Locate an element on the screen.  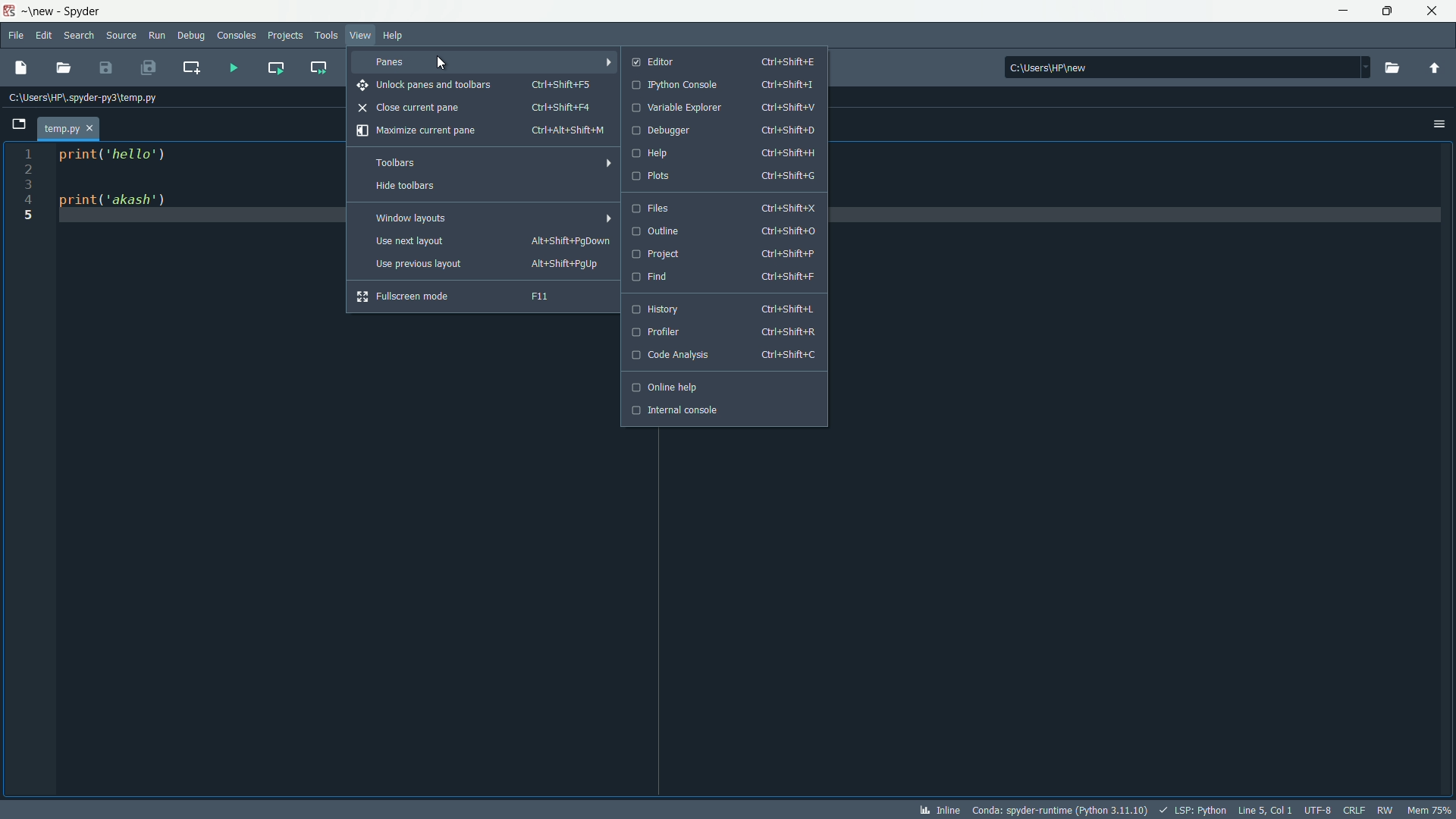
outline is located at coordinates (723, 231).